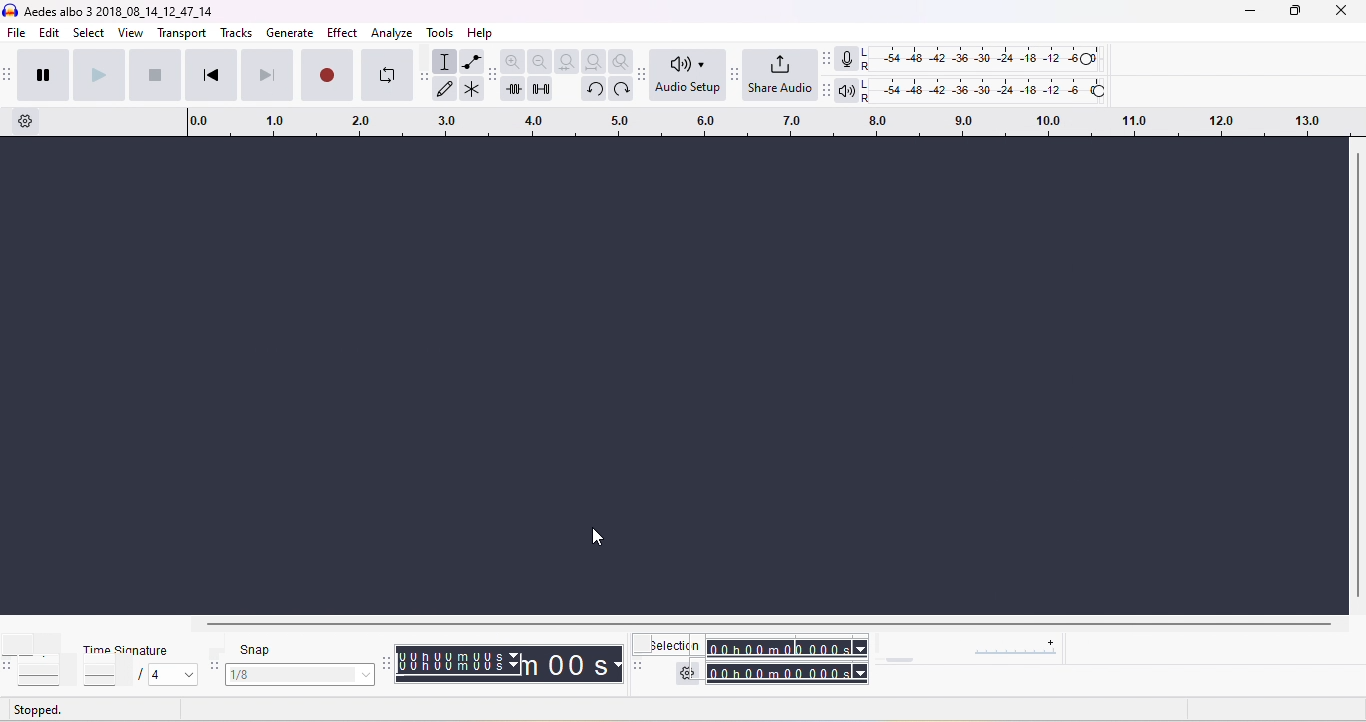 The width and height of the screenshot is (1366, 722). What do you see at coordinates (992, 649) in the screenshot?
I see `playback speed` at bounding box center [992, 649].